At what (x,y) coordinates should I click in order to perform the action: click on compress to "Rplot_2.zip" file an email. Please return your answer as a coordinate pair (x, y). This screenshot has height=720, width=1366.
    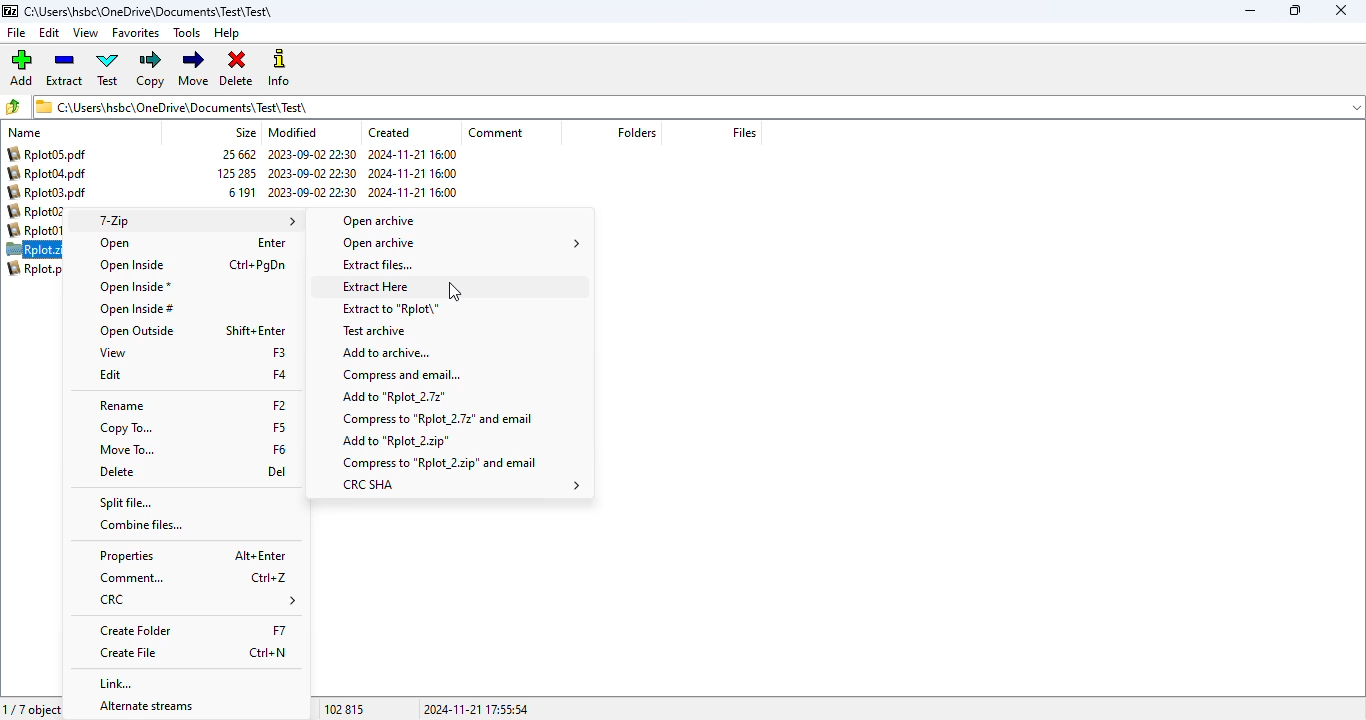
    Looking at the image, I should click on (441, 462).